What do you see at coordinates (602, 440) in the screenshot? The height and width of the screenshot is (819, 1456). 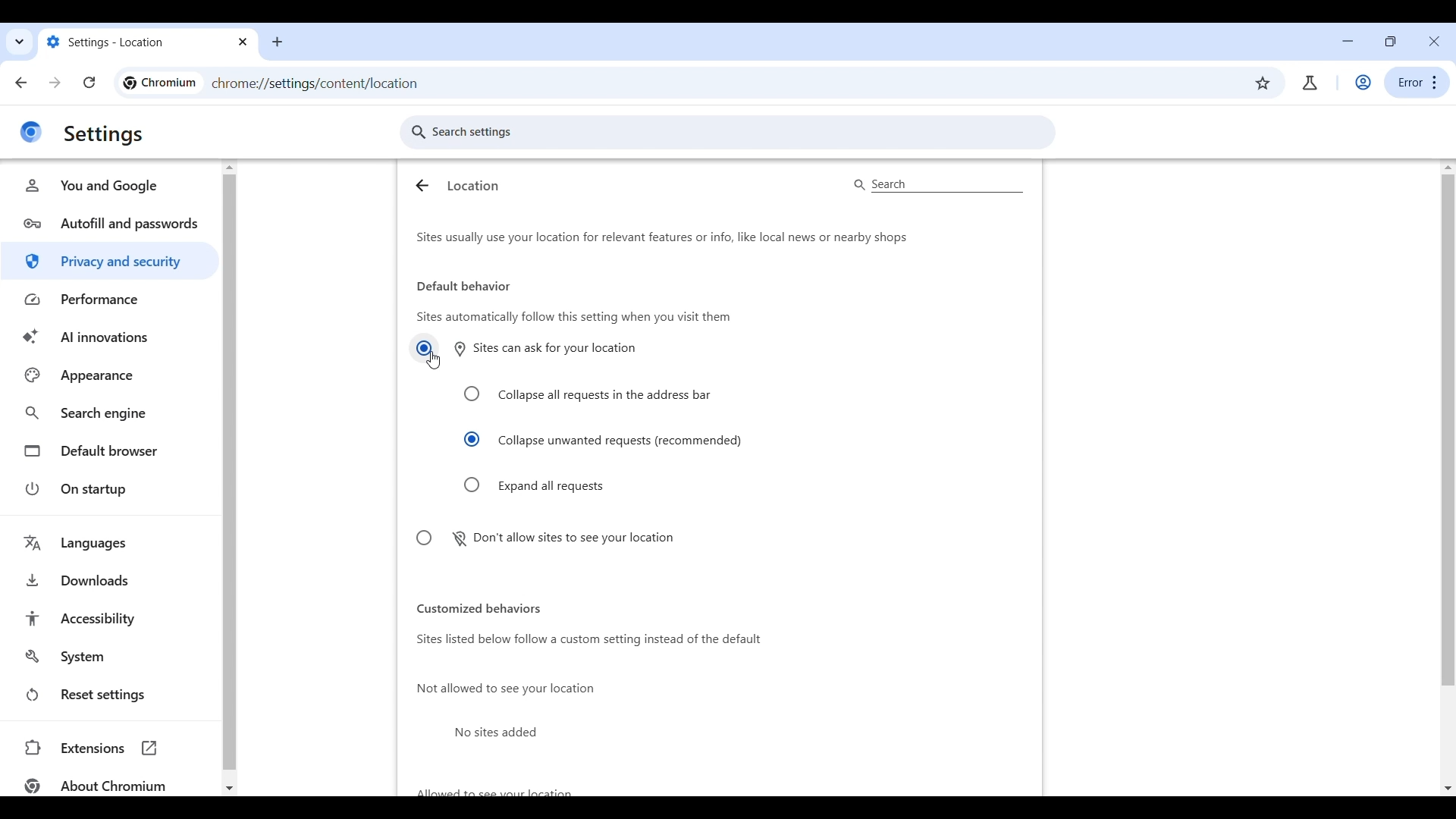 I see `Collapse unwanted requests highlighted` at bounding box center [602, 440].